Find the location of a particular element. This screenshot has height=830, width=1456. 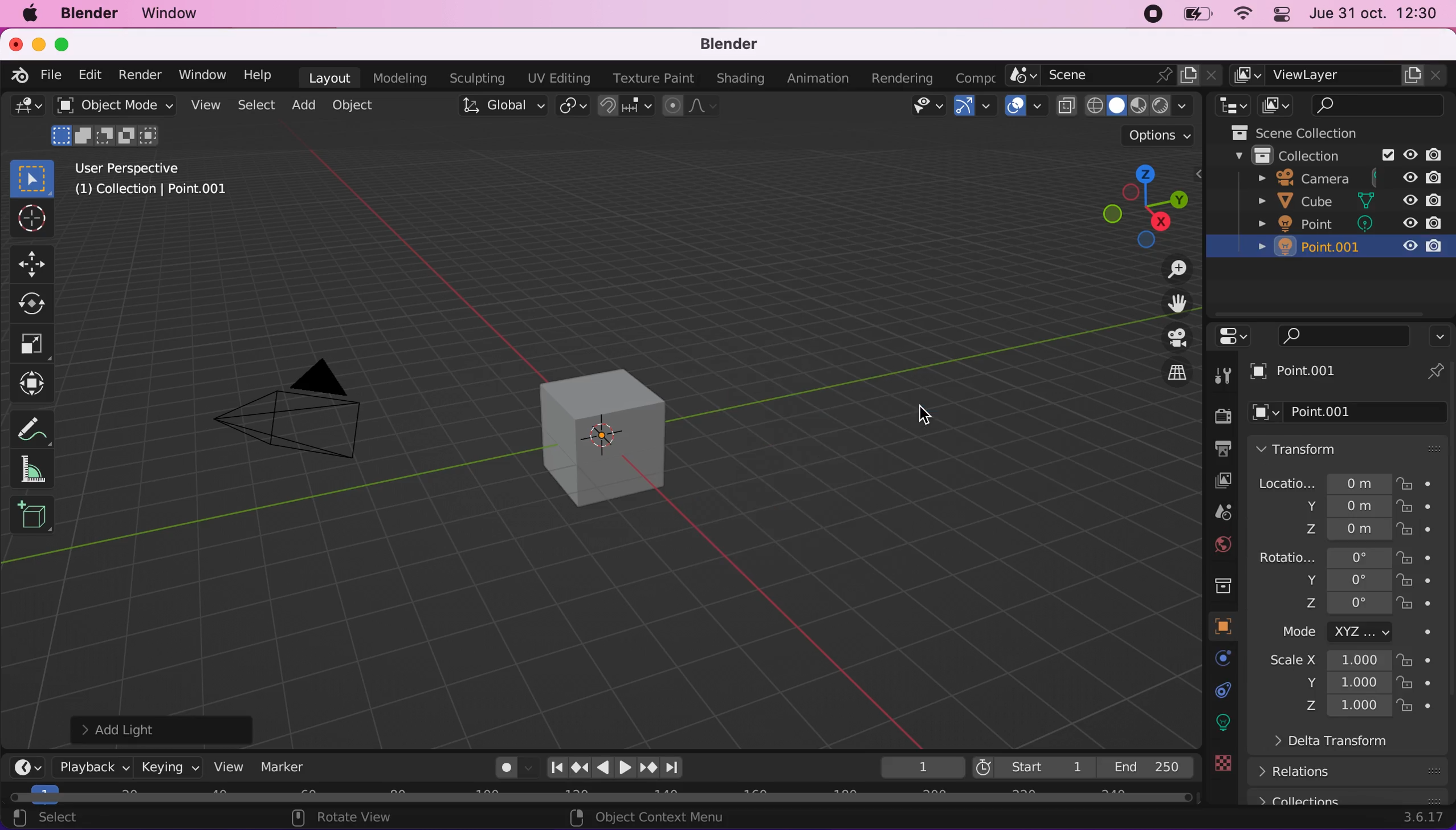

proportional editing objects is located at coordinates (695, 105).